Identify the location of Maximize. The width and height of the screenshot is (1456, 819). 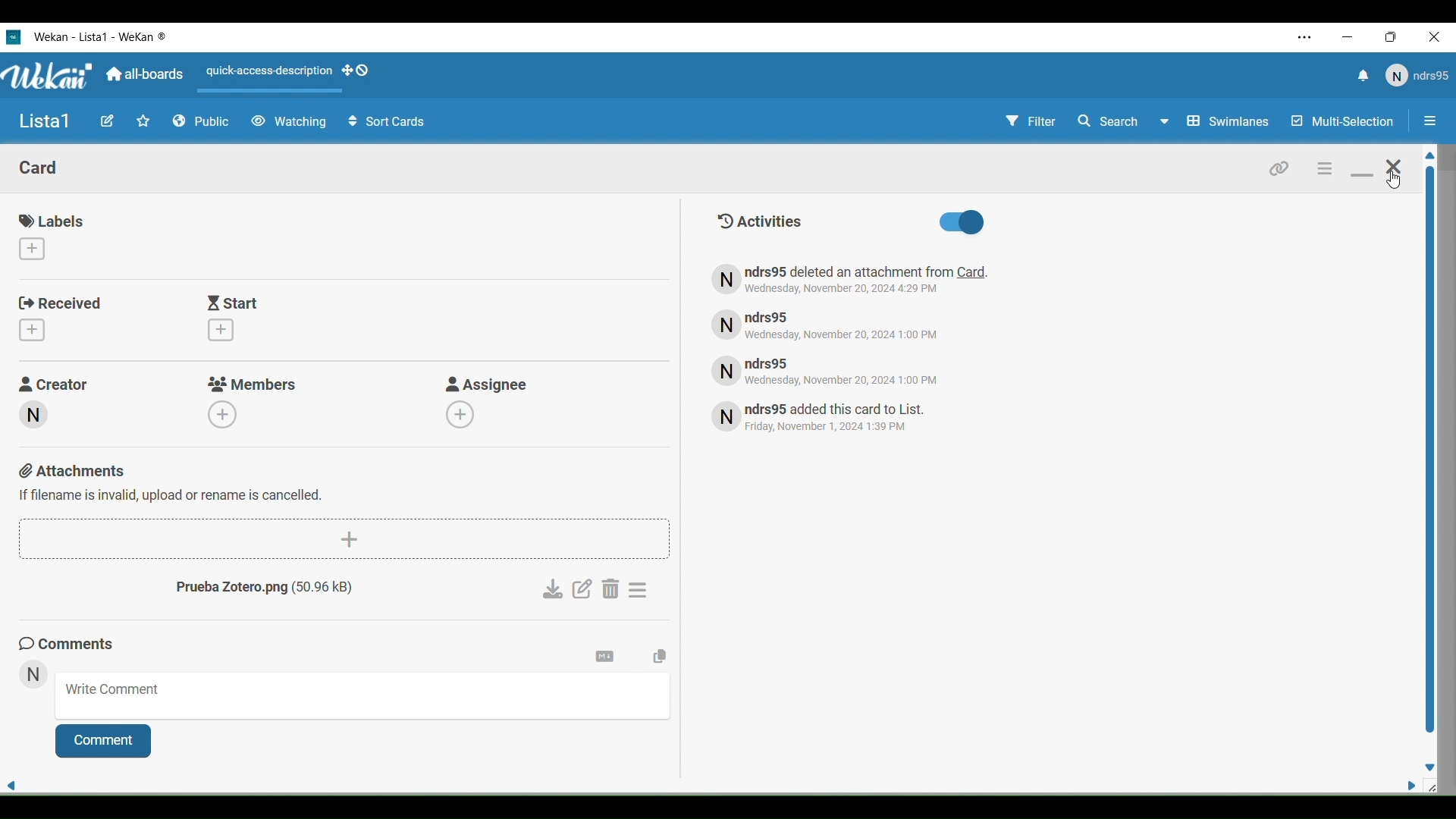
(1395, 38).